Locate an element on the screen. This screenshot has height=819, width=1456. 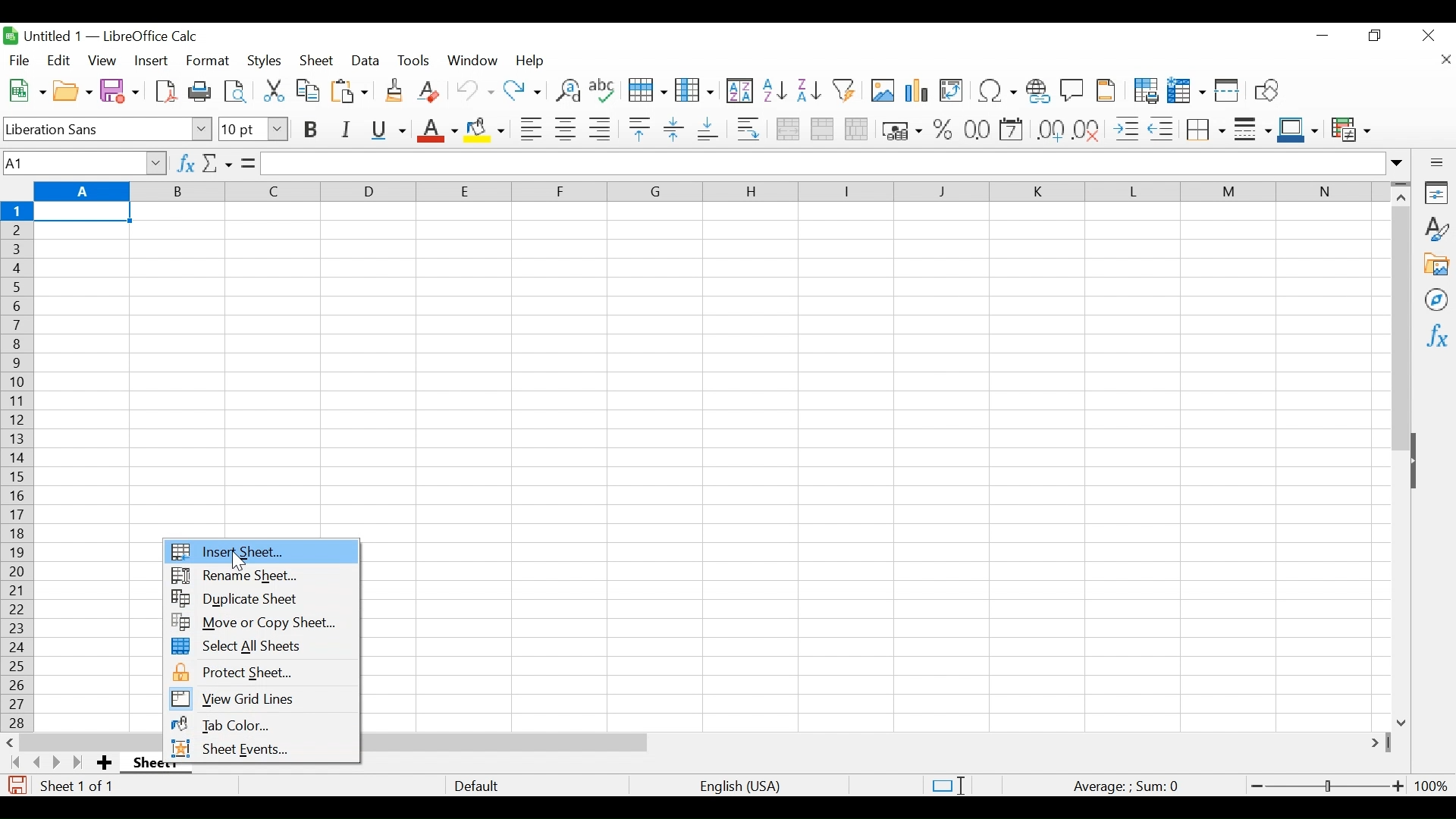
Insert Comment is located at coordinates (1071, 92).